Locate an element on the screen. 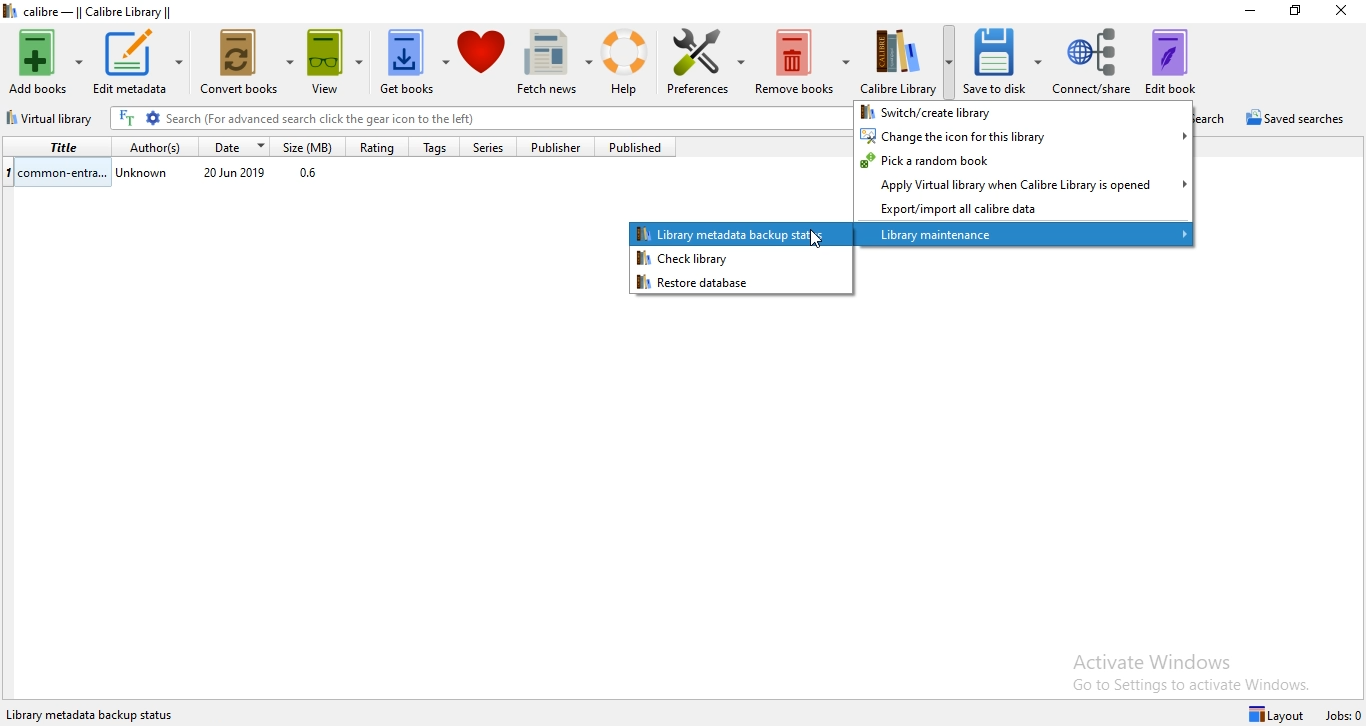 The image size is (1366, 726). check library is located at coordinates (741, 258).